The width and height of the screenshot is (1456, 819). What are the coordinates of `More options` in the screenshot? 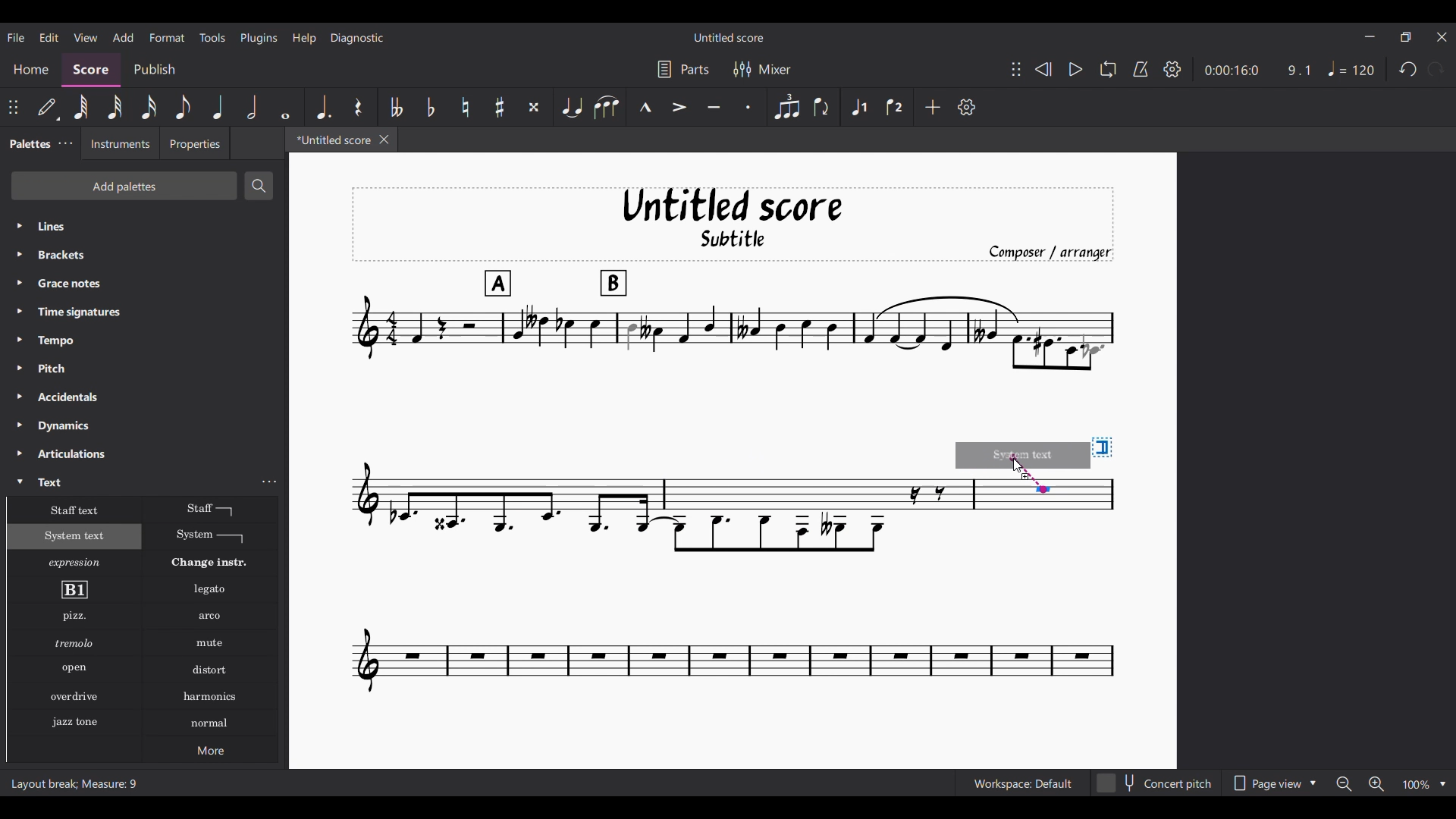 It's located at (210, 749).